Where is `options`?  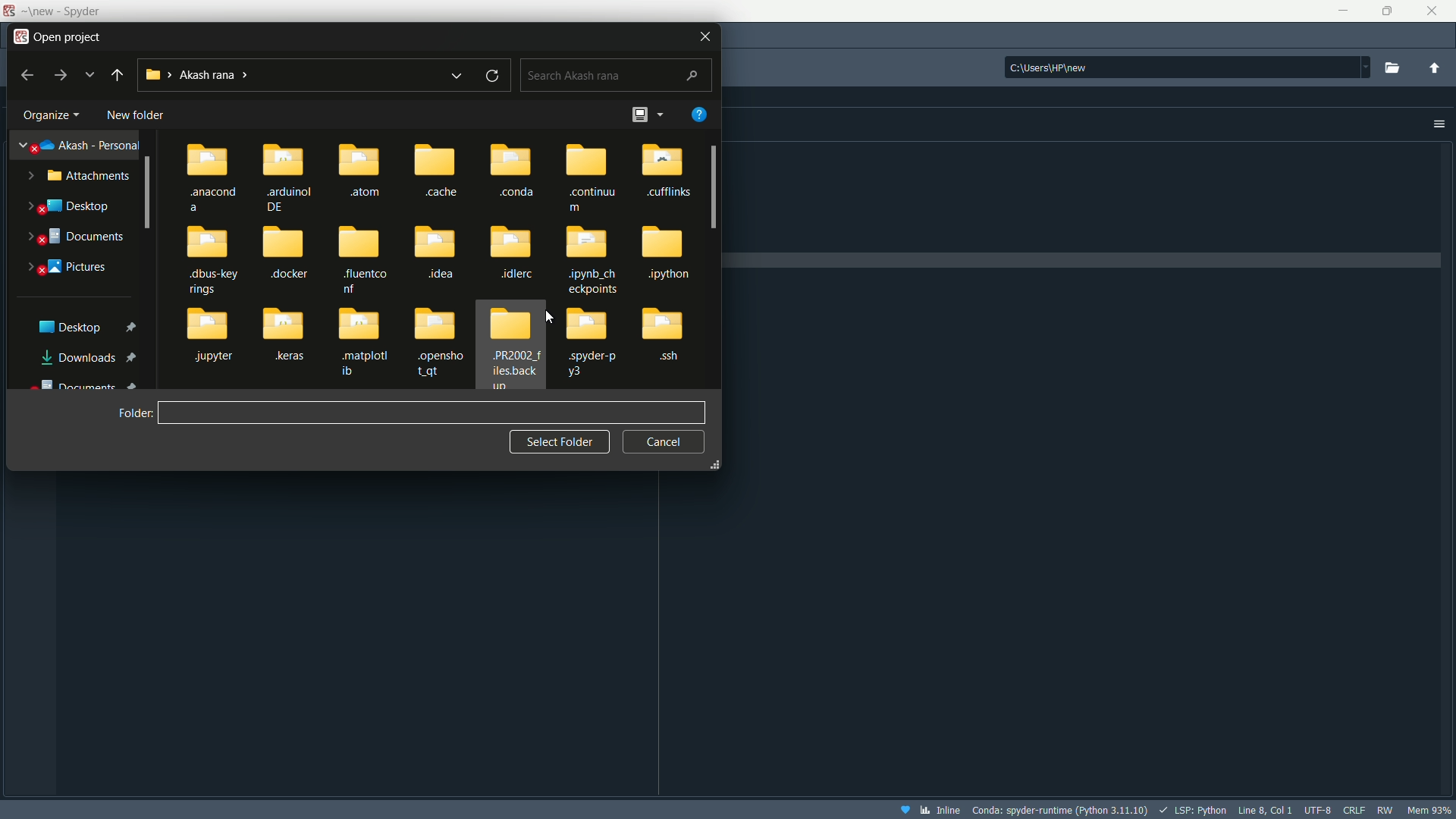 options is located at coordinates (1439, 124).